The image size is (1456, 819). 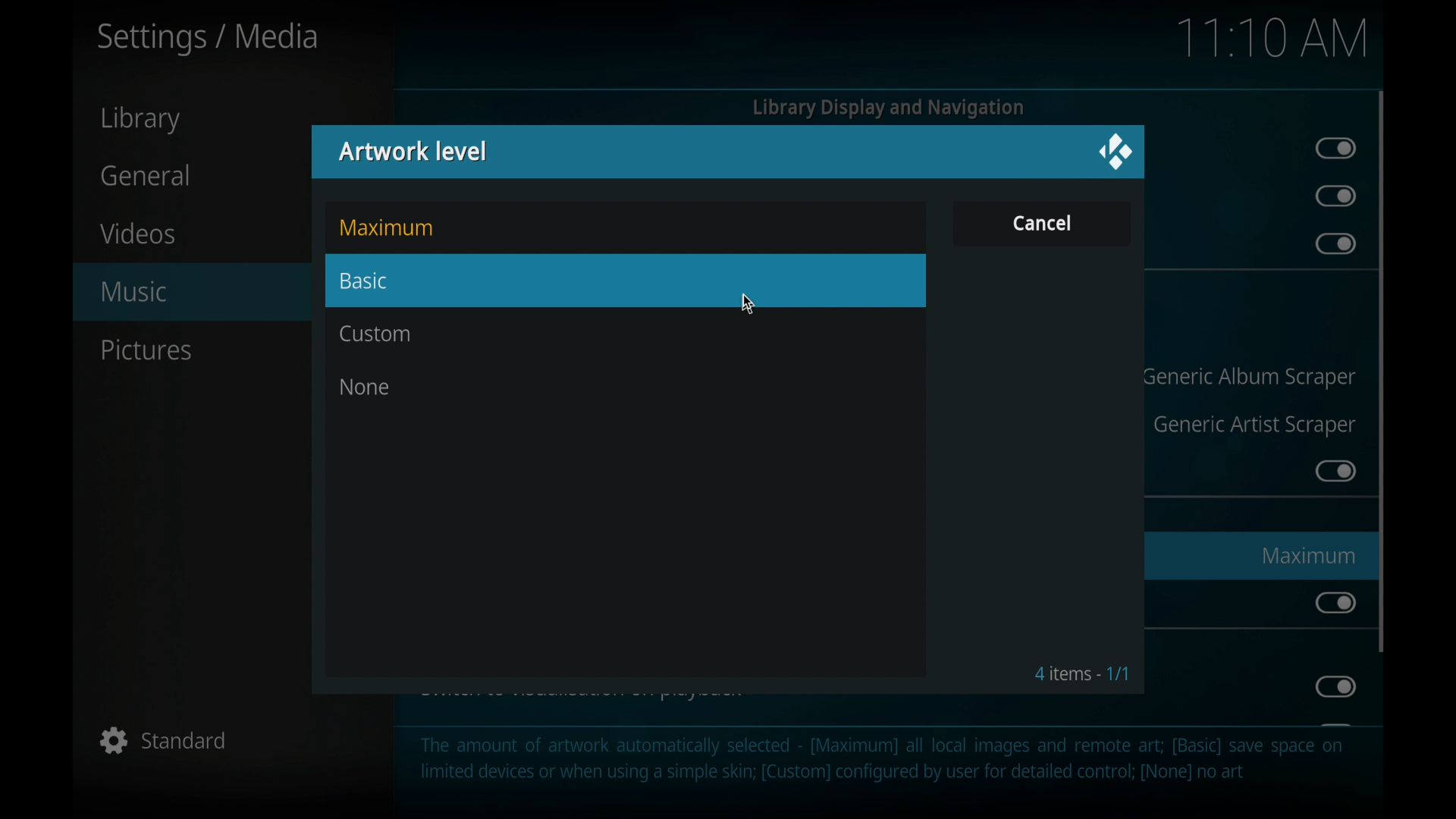 What do you see at coordinates (1335, 602) in the screenshot?
I see `toggle button` at bounding box center [1335, 602].